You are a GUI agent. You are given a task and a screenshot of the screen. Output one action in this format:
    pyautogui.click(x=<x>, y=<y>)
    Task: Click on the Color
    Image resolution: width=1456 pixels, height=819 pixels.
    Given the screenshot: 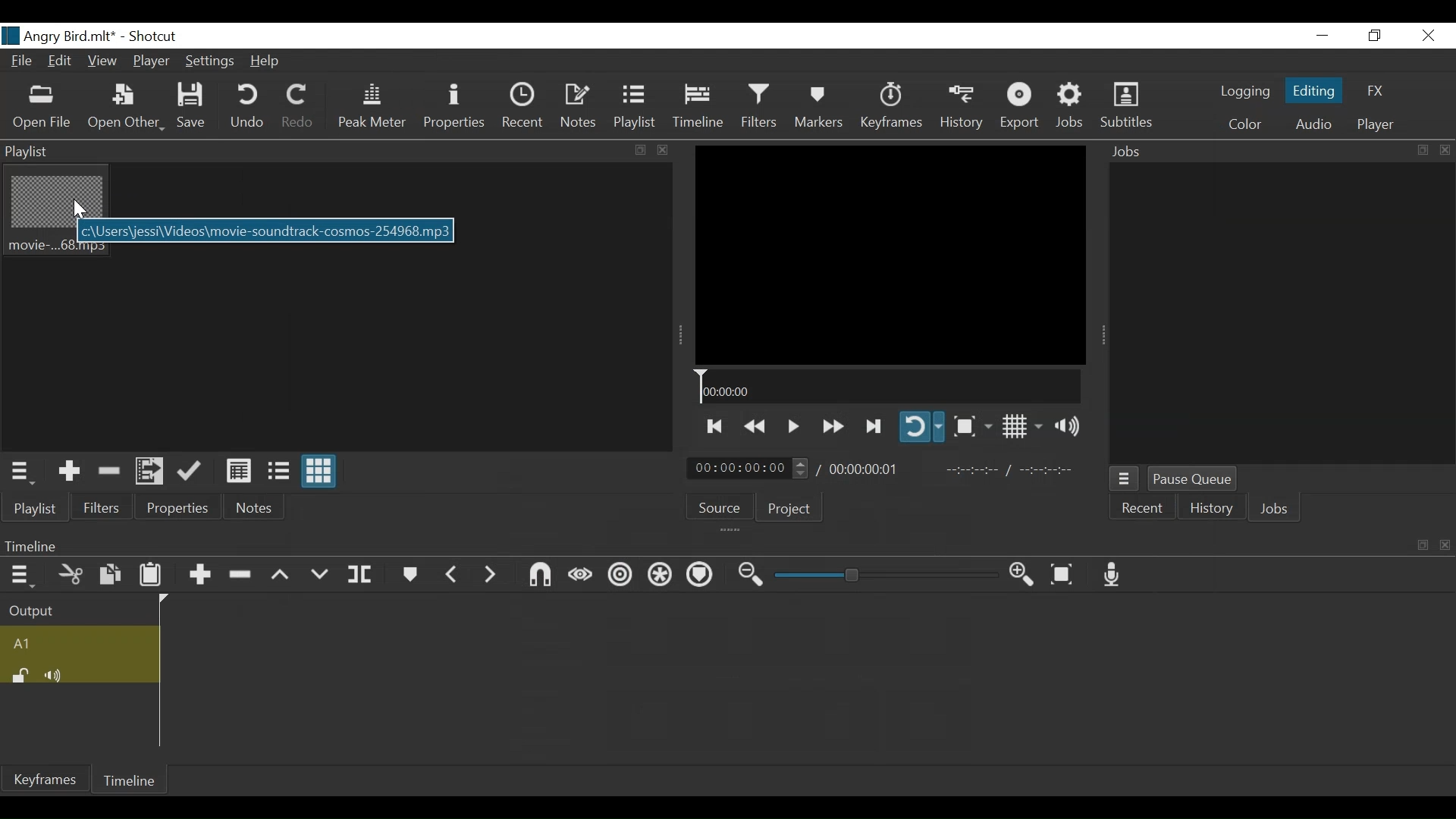 What is the action you would take?
    pyautogui.click(x=1244, y=125)
    